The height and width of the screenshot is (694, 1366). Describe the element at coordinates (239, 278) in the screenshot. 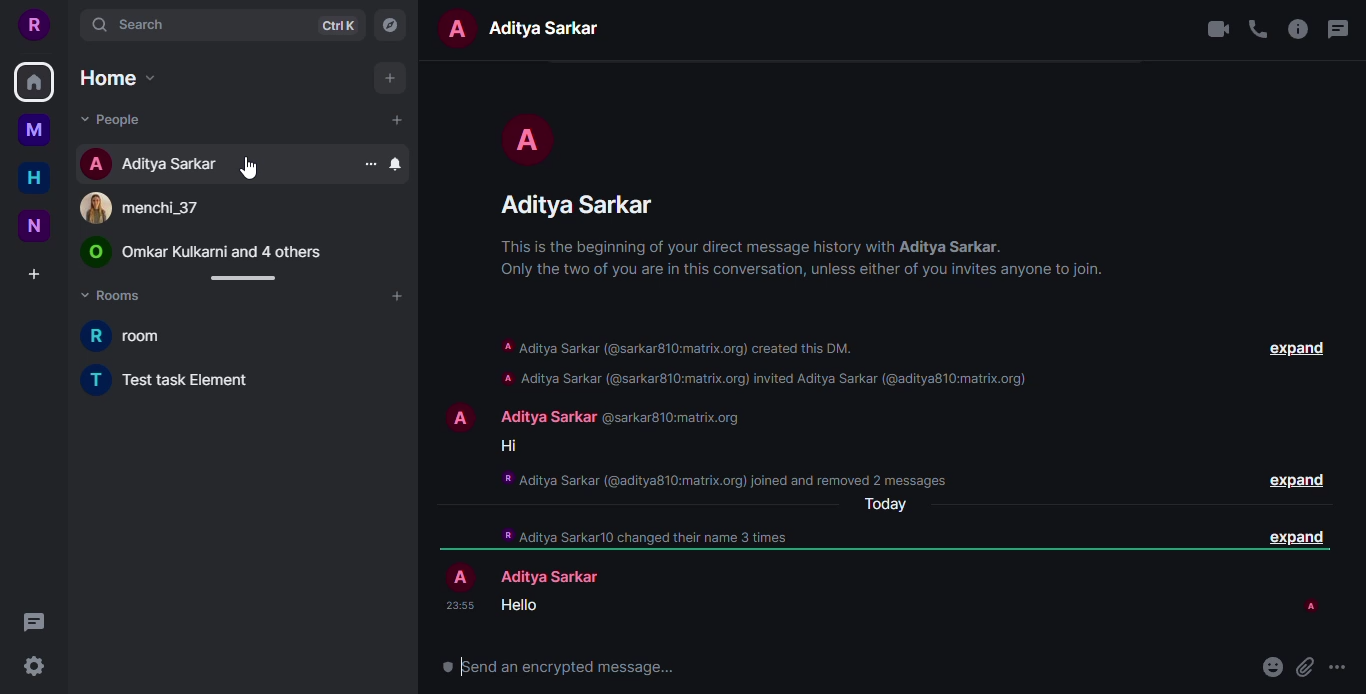

I see `adjust` at that location.